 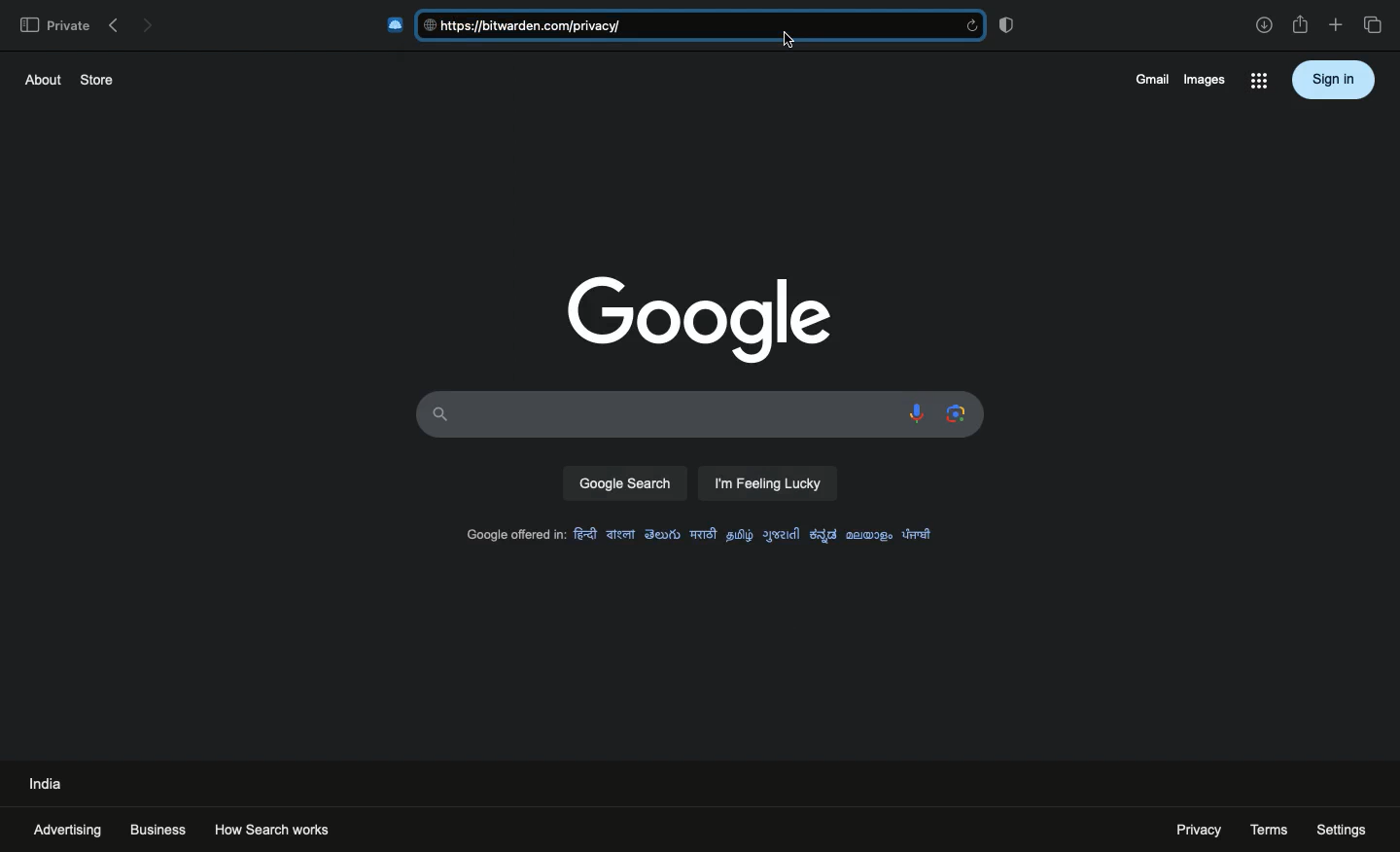 What do you see at coordinates (511, 536) in the screenshot?
I see `google offered in` at bounding box center [511, 536].